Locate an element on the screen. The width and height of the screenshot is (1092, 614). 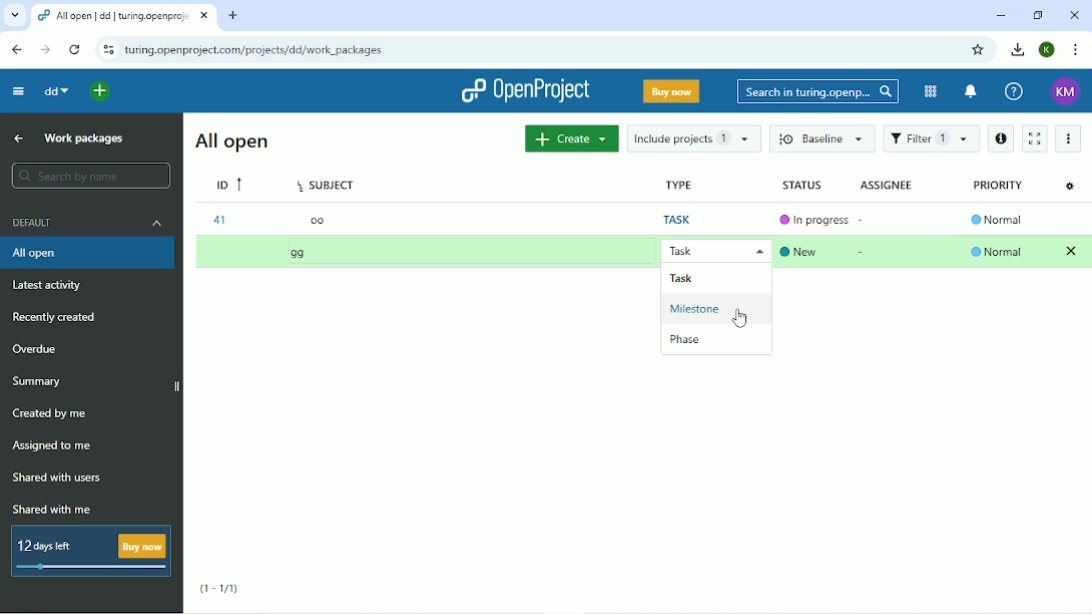
Filter 1 is located at coordinates (931, 139).